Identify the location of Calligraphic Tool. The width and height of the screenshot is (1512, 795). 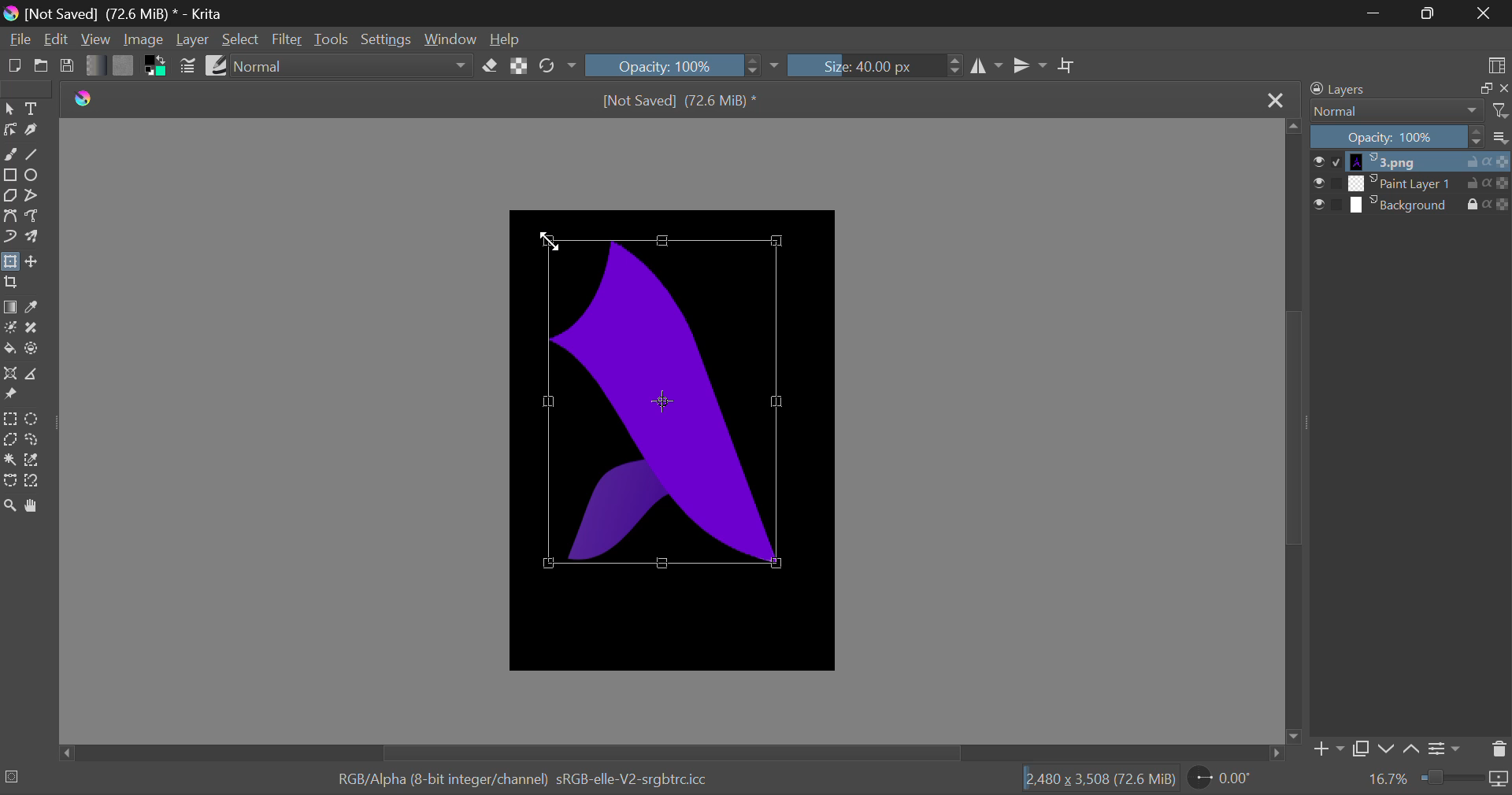
(35, 134).